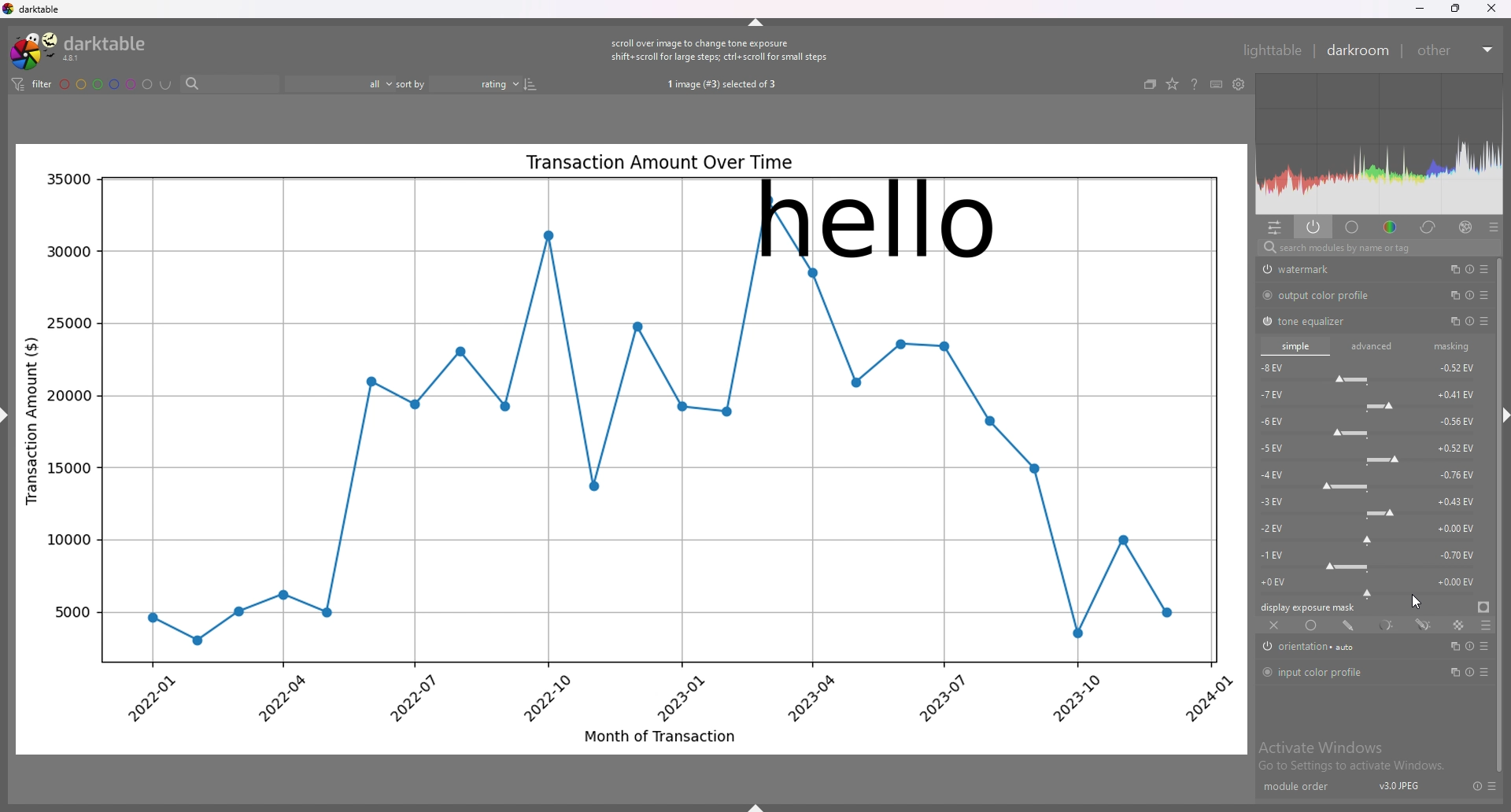  I want to click on Transaction Amount ($), so click(32, 419).